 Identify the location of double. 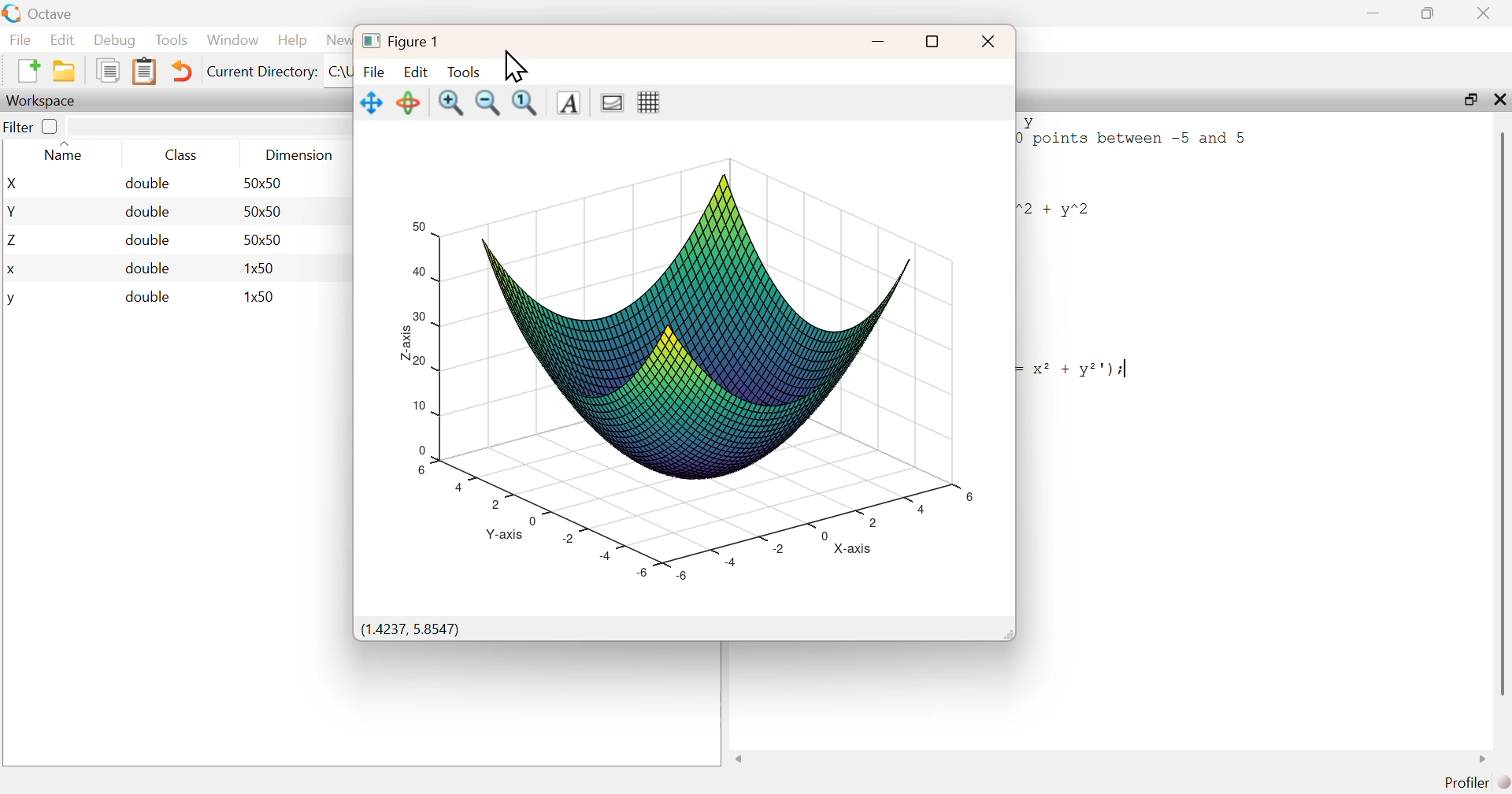
(149, 184).